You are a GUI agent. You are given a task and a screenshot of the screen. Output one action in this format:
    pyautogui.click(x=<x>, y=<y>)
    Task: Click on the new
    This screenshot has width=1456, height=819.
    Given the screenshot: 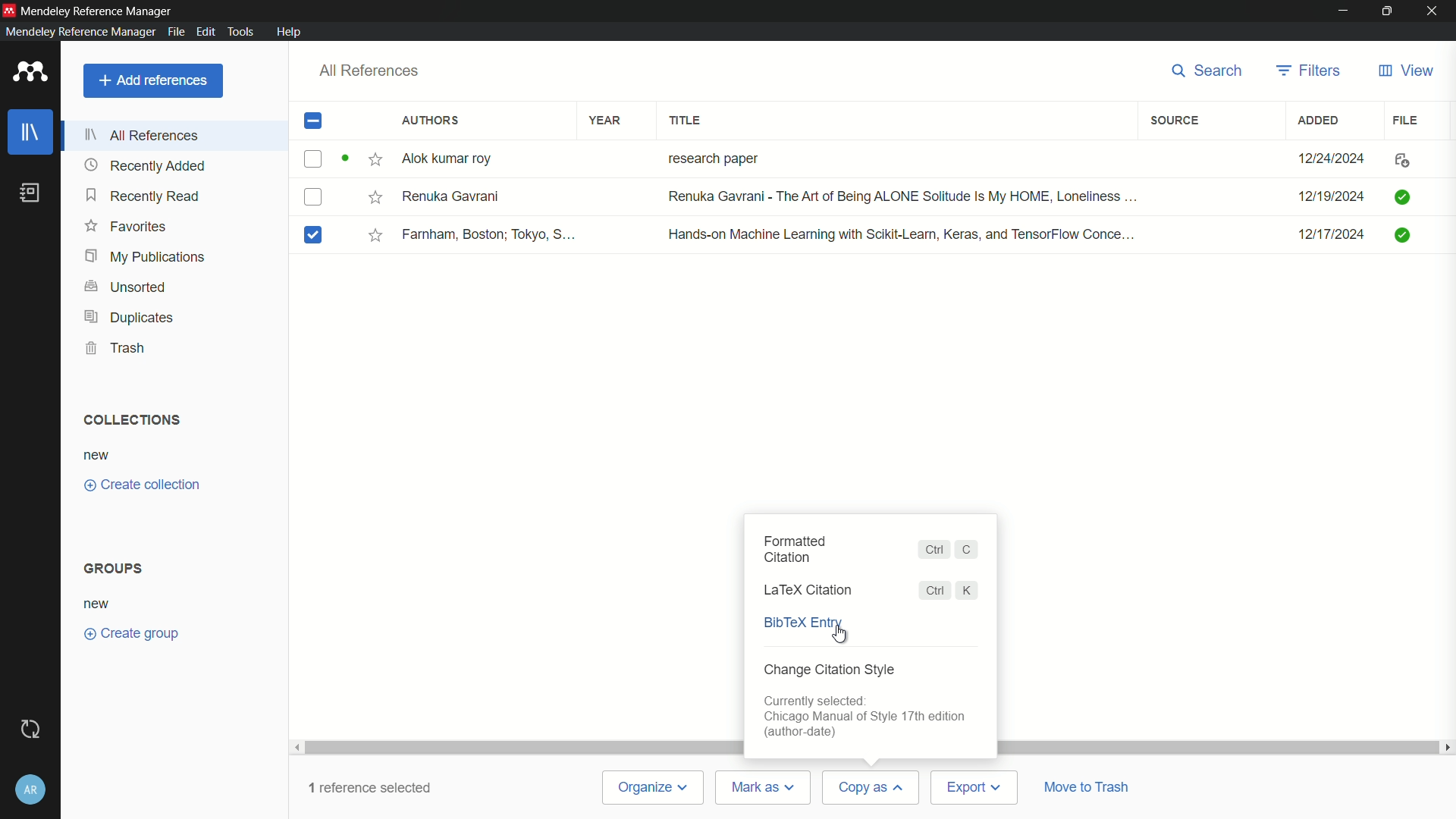 What is the action you would take?
    pyautogui.click(x=99, y=603)
    